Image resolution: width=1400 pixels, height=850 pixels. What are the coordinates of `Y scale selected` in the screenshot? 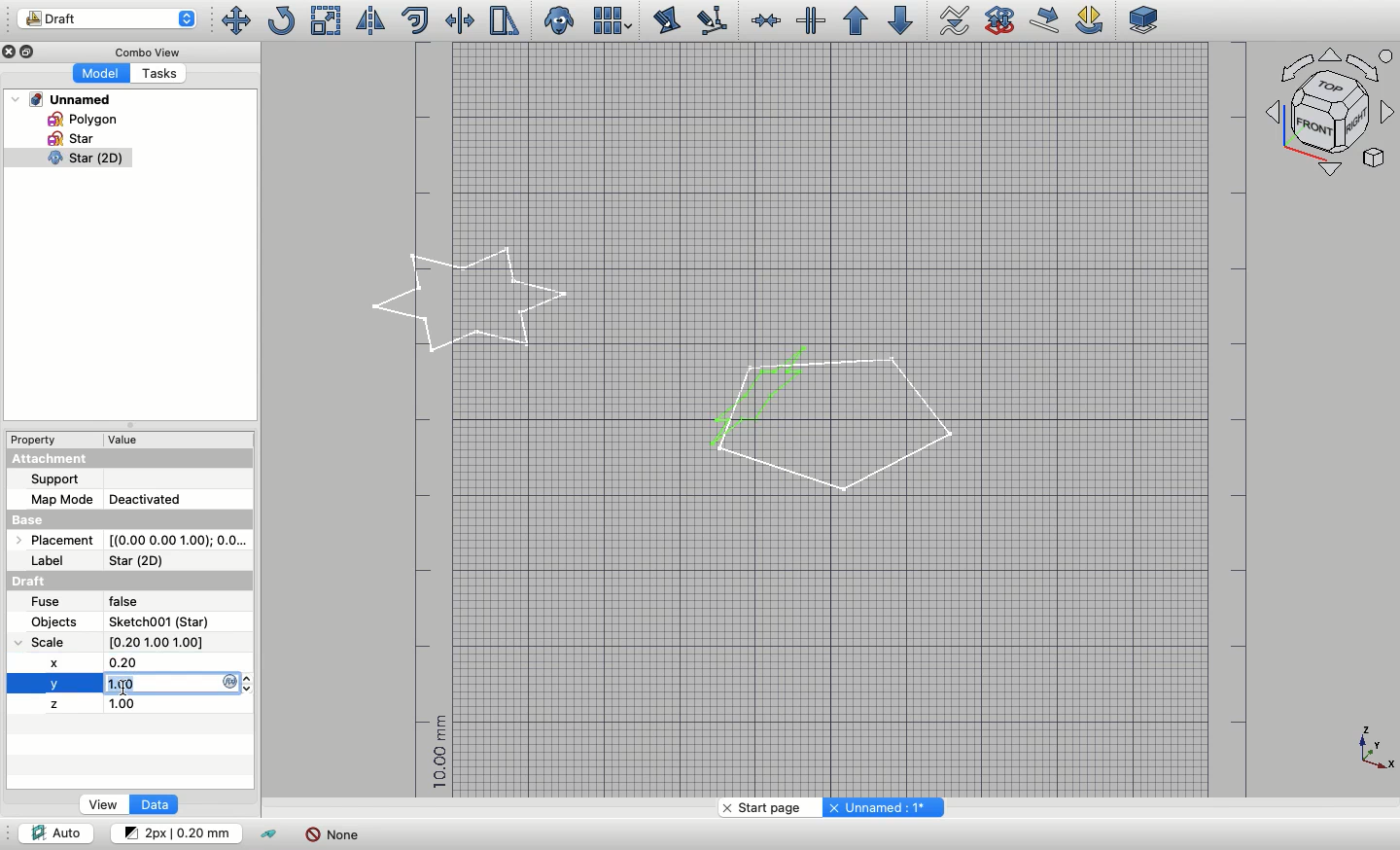 It's located at (54, 683).